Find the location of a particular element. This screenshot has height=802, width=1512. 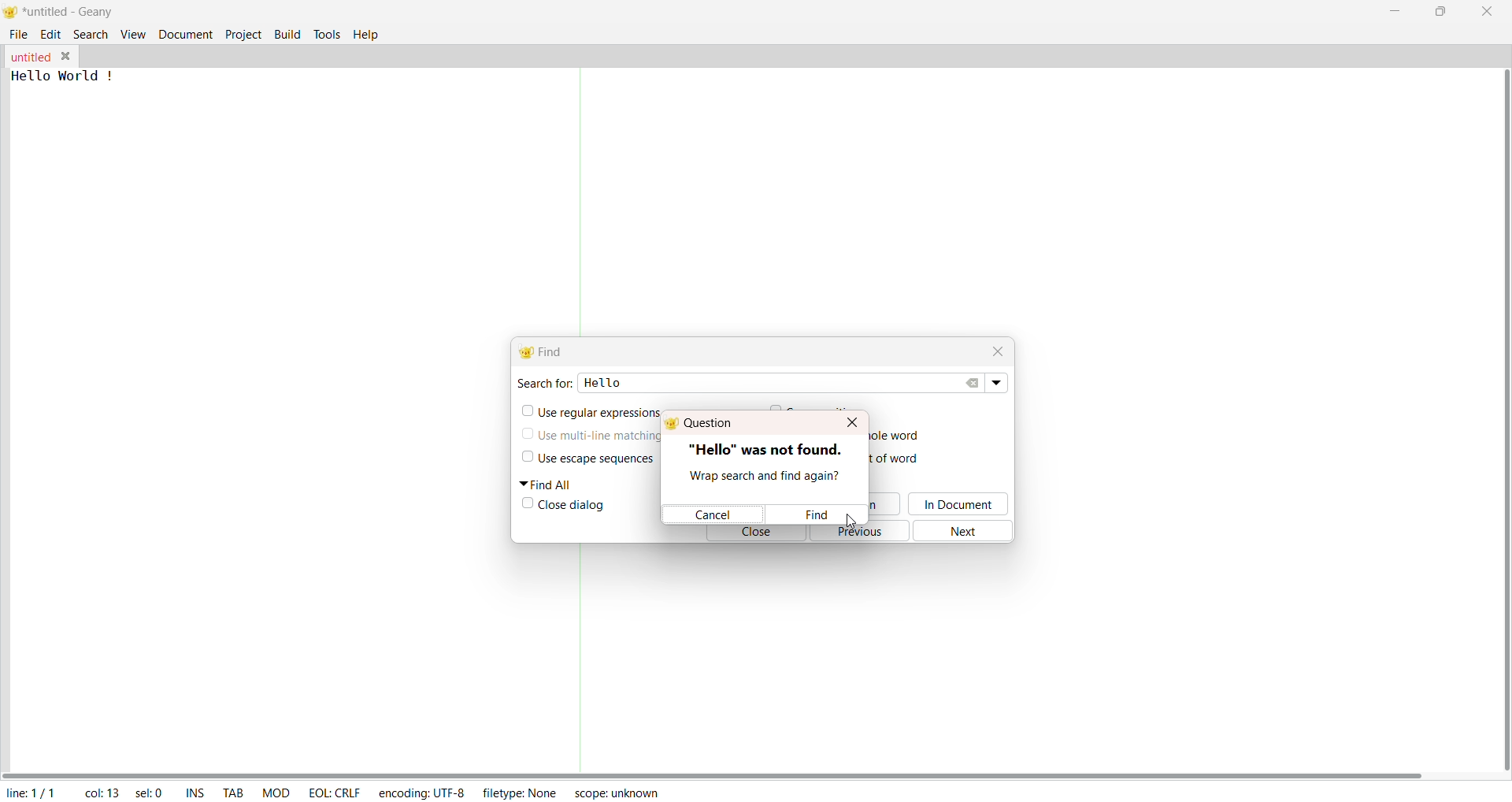

Line 1/1 is located at coordinates (35, 790).